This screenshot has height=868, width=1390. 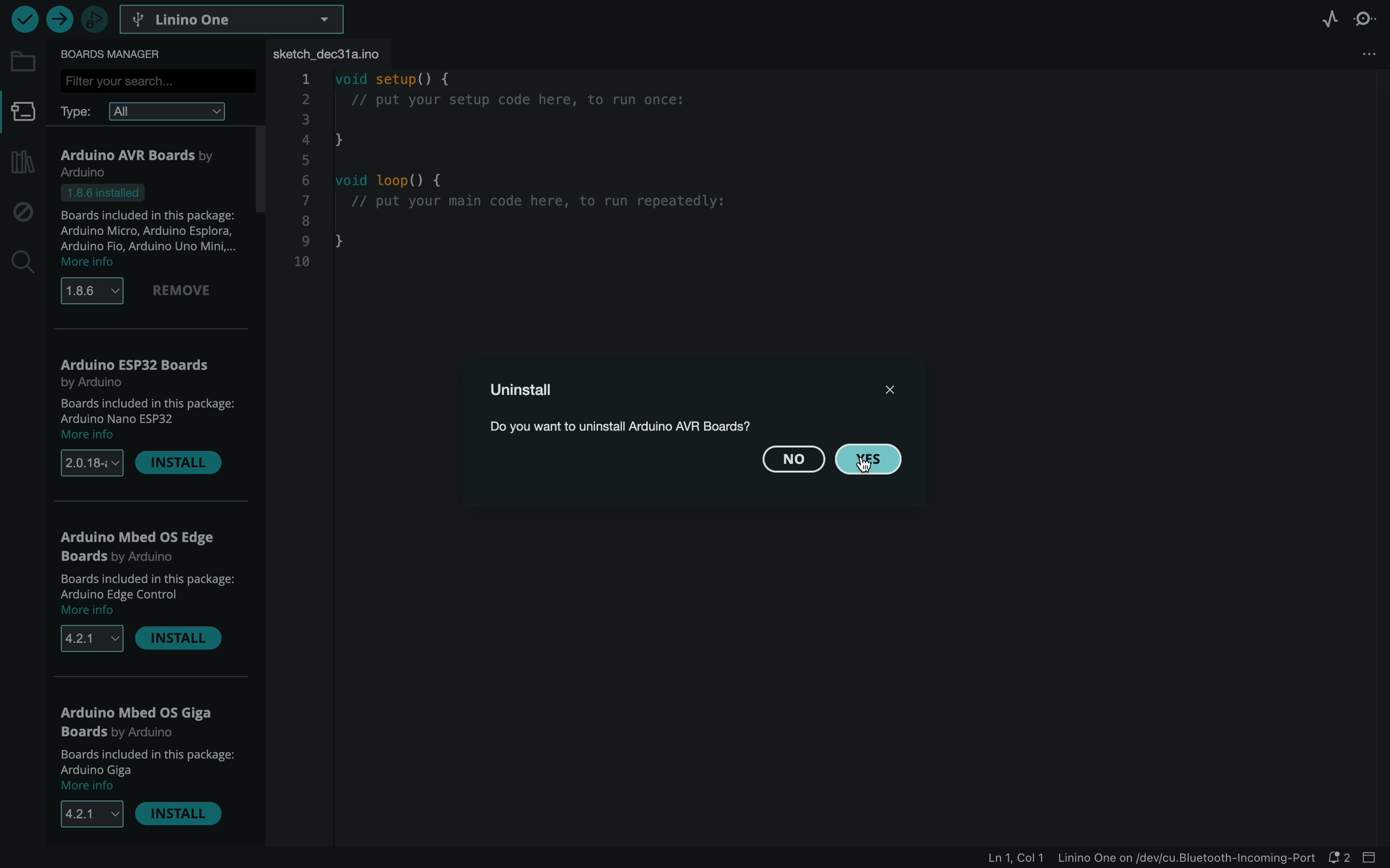 What do you see at coordinates (23, 210) in the screenshot?
I see `debug` at bounding box center [23, 210].